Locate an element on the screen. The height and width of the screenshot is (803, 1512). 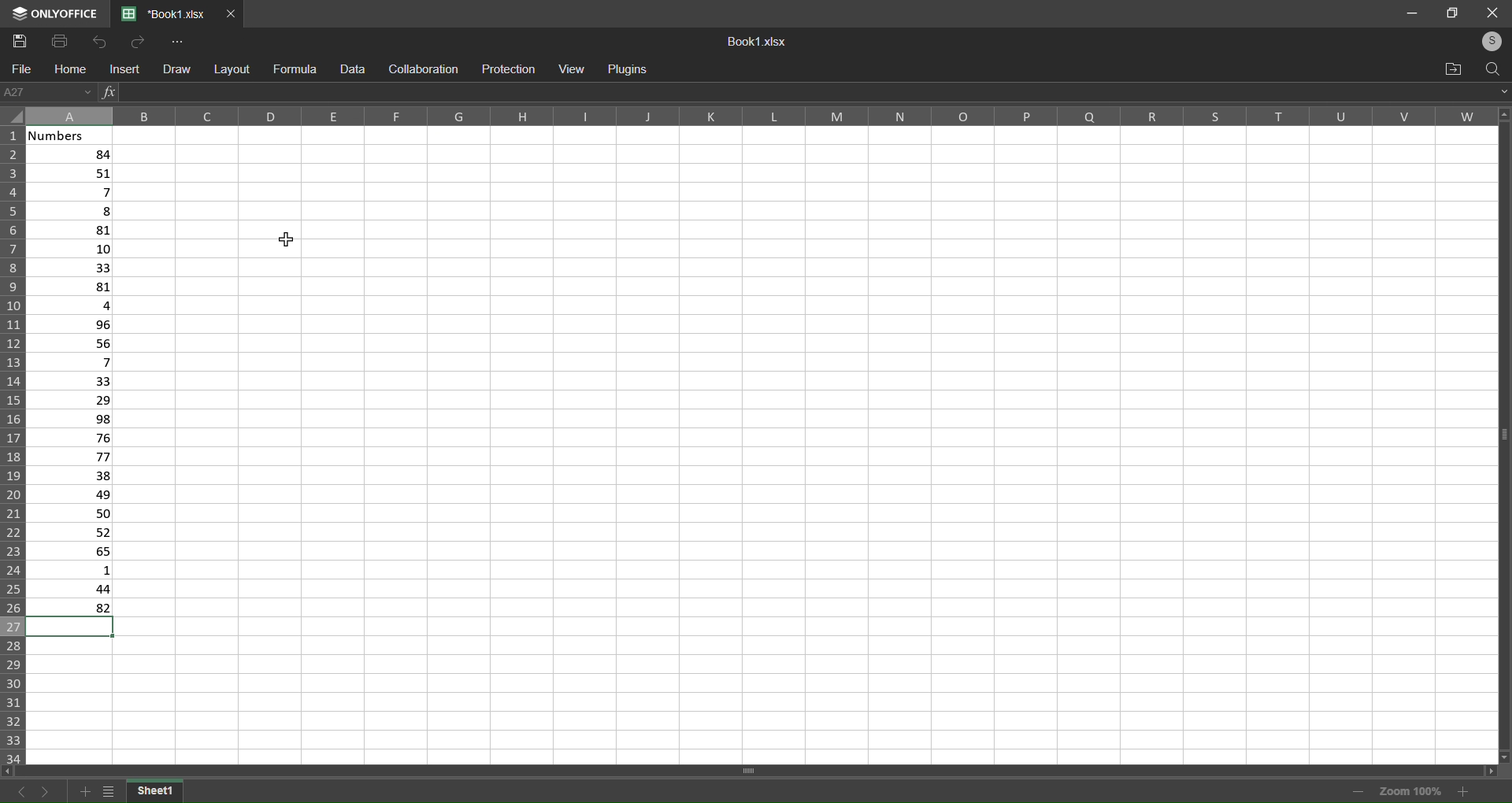
move up is located at coordinates (1502, 113).